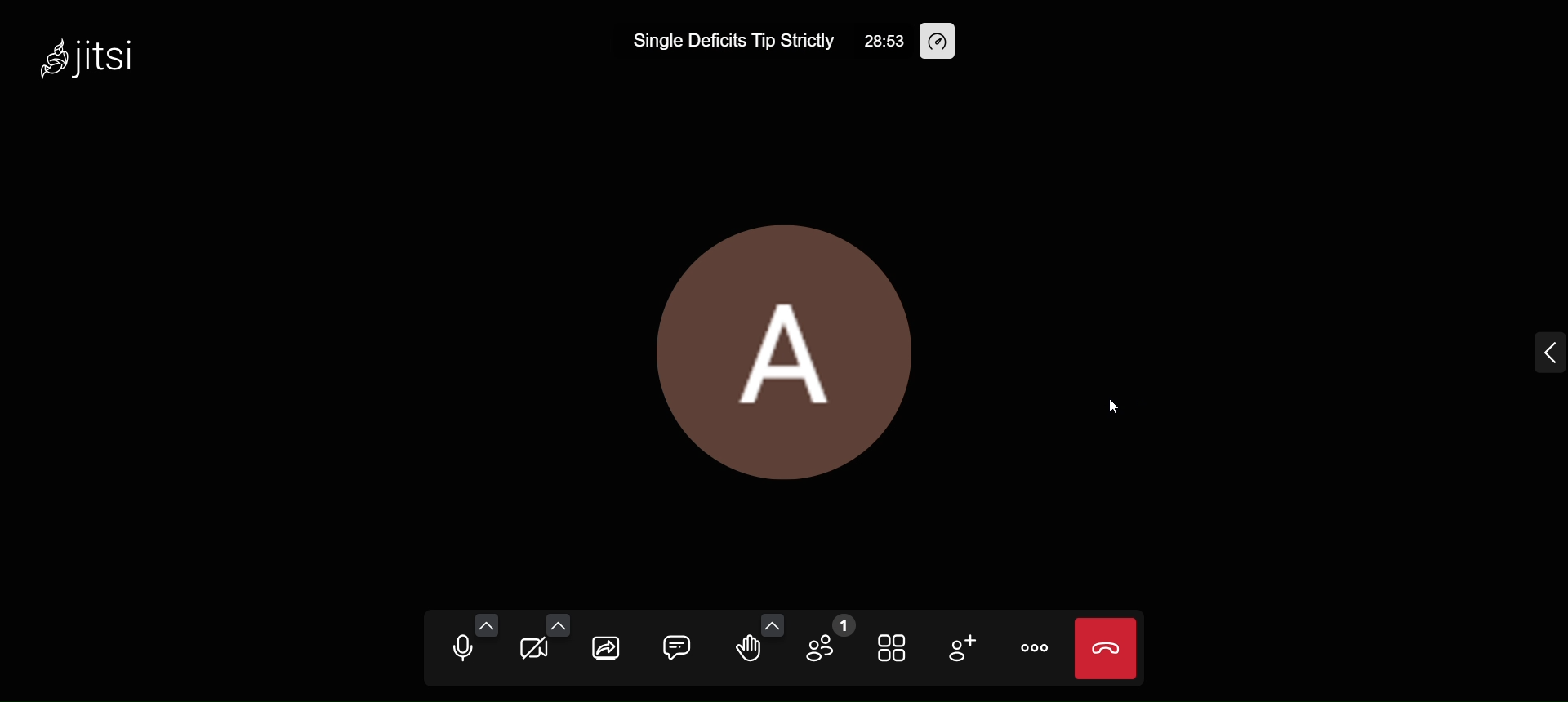 The image size is (1568, 702). Describe the element at coordinates (719, 43) in the screenshot. I see `Single Deficits Tip Strictly` at that location.